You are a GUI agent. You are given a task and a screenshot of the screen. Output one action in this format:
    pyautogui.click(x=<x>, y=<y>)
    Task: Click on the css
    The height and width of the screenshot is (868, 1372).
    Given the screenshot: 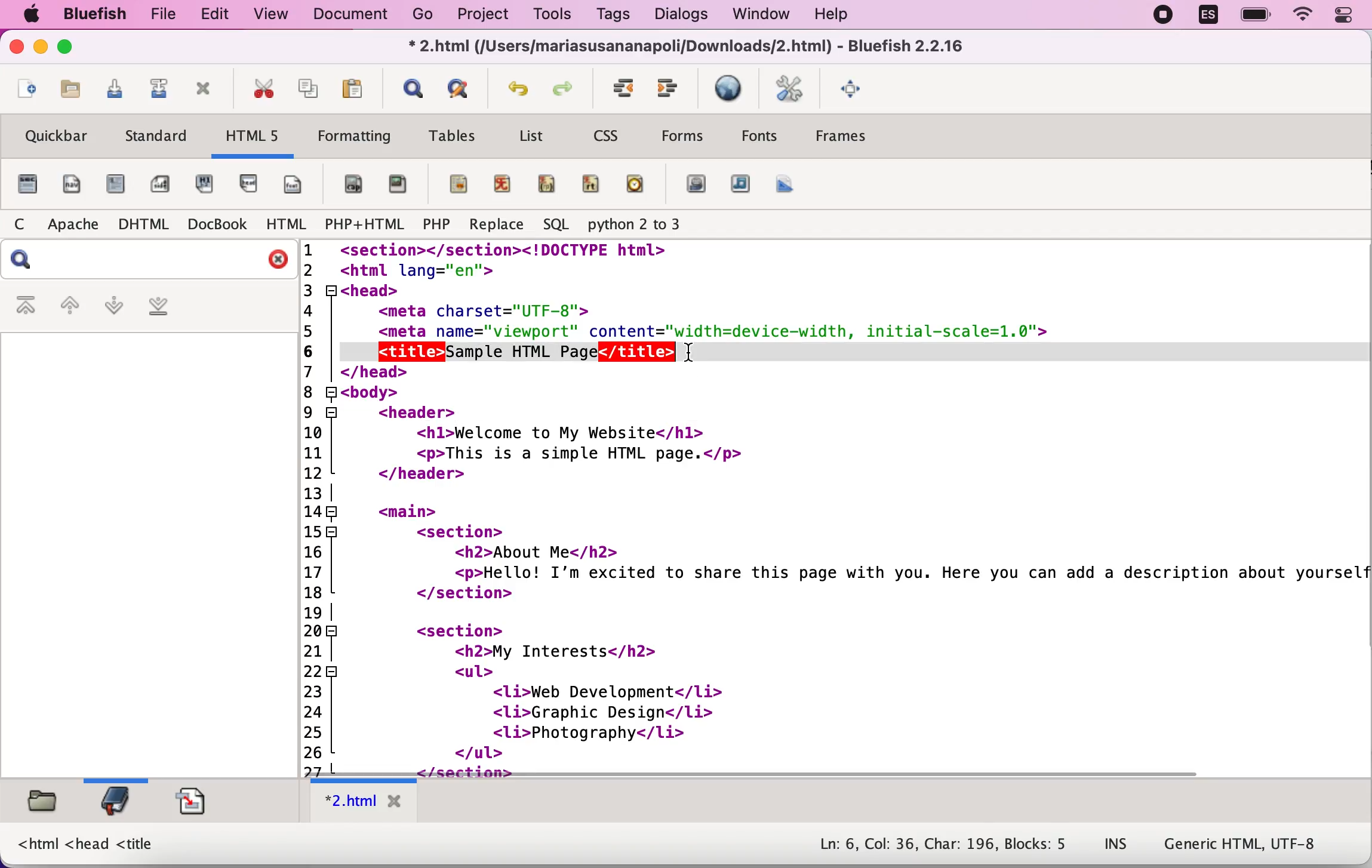 What is the action you would take?
    pyautogui.click(x=611, y=134)
    